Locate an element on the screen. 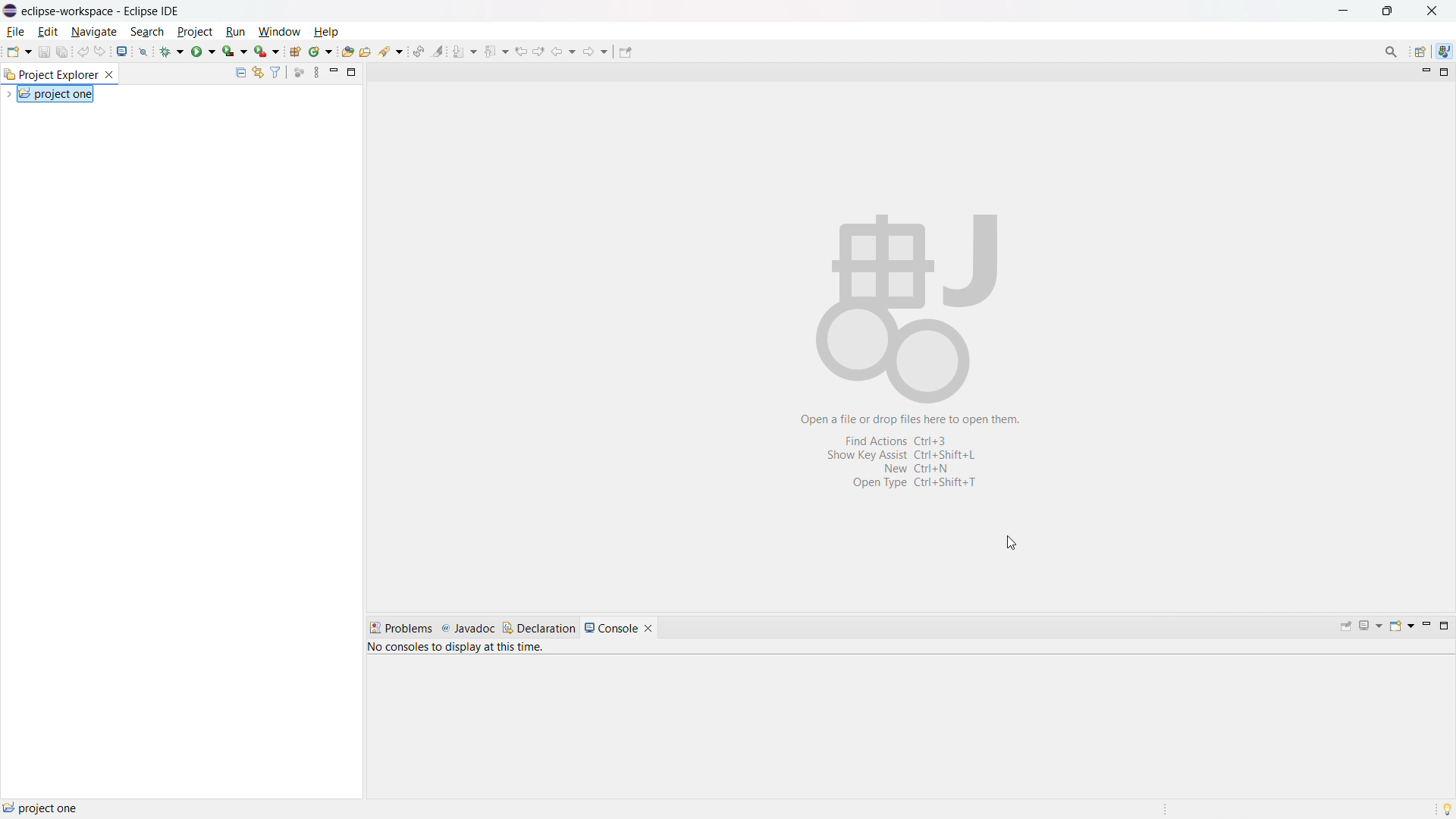 The height and width of the screenshot is (819, 1456). collapse all is located at coordinates (240, 72).